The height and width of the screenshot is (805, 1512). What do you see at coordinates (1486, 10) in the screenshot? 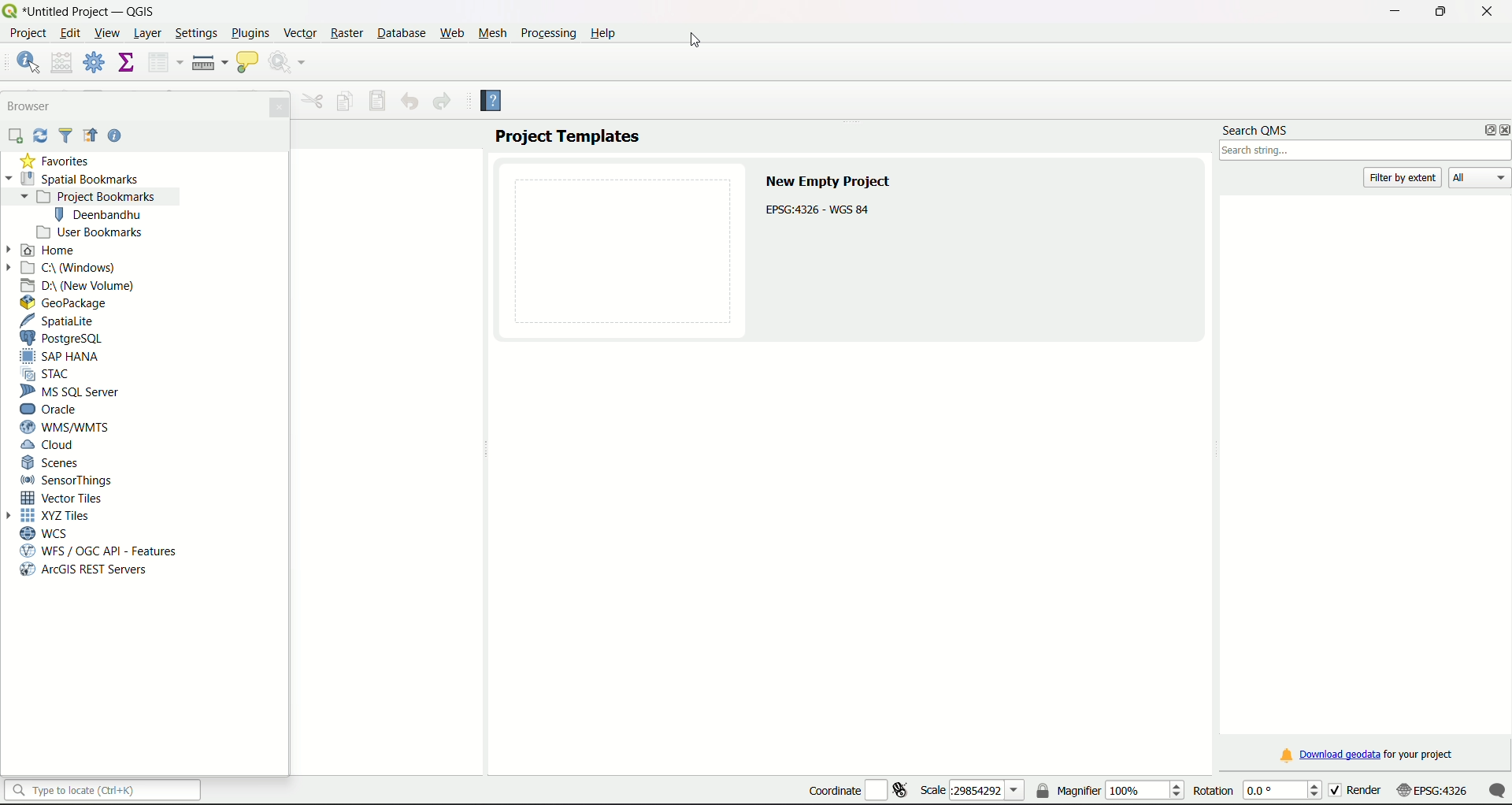
I see `close` at bounding box center [1486, 10].